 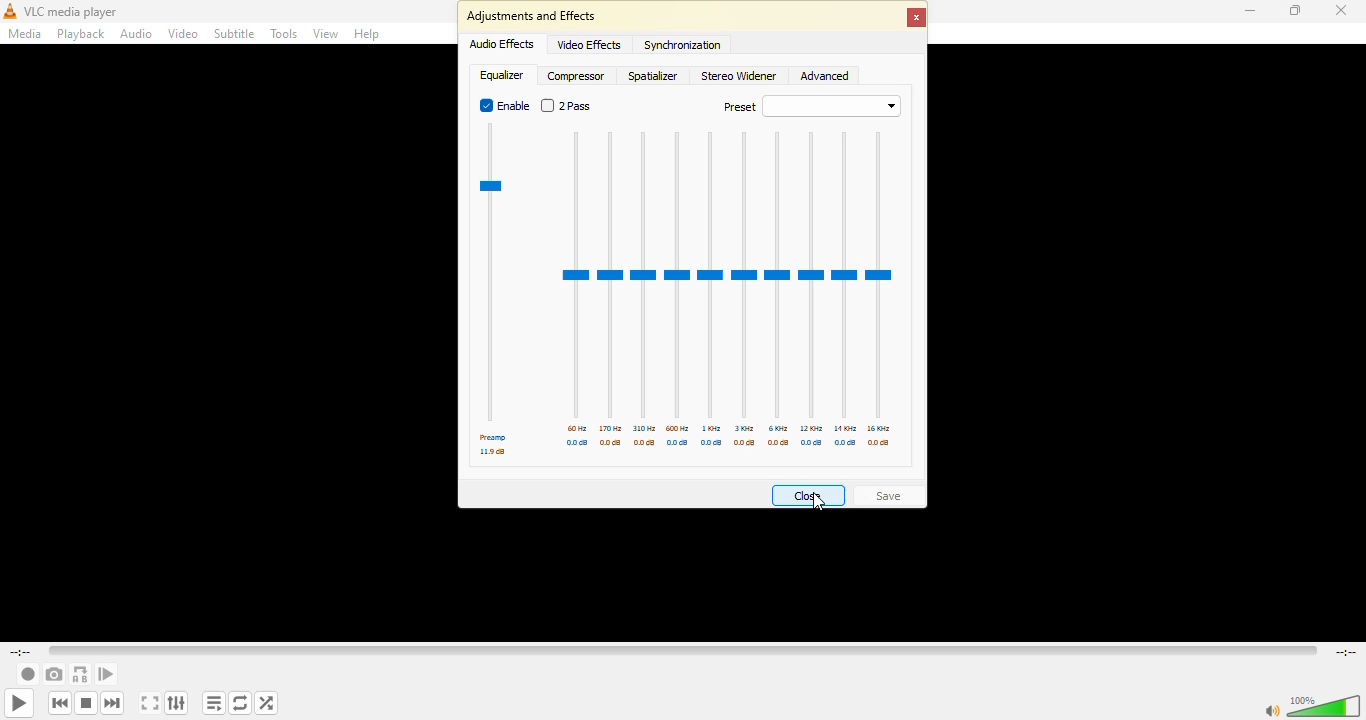 I want to click on enabled Radio button, so click(x=483, y=105).